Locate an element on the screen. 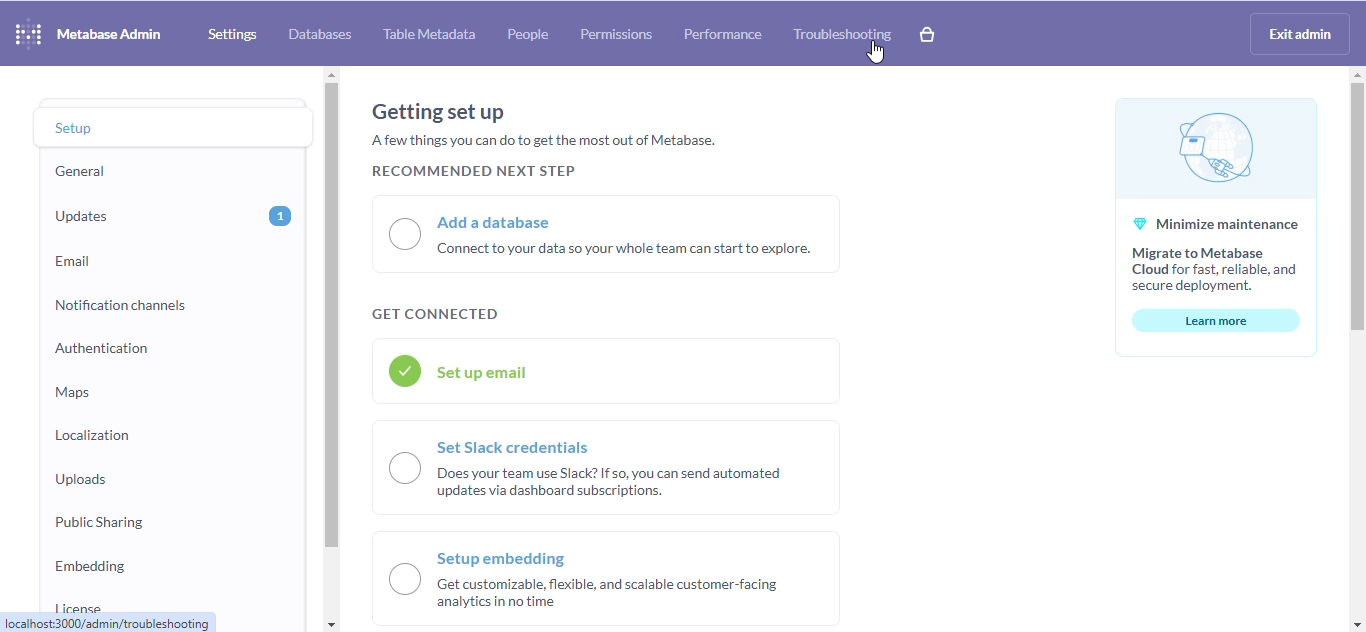 The width and height of the screenshot is (1366, 632). recommended next step is located at coordinates (471, 171).